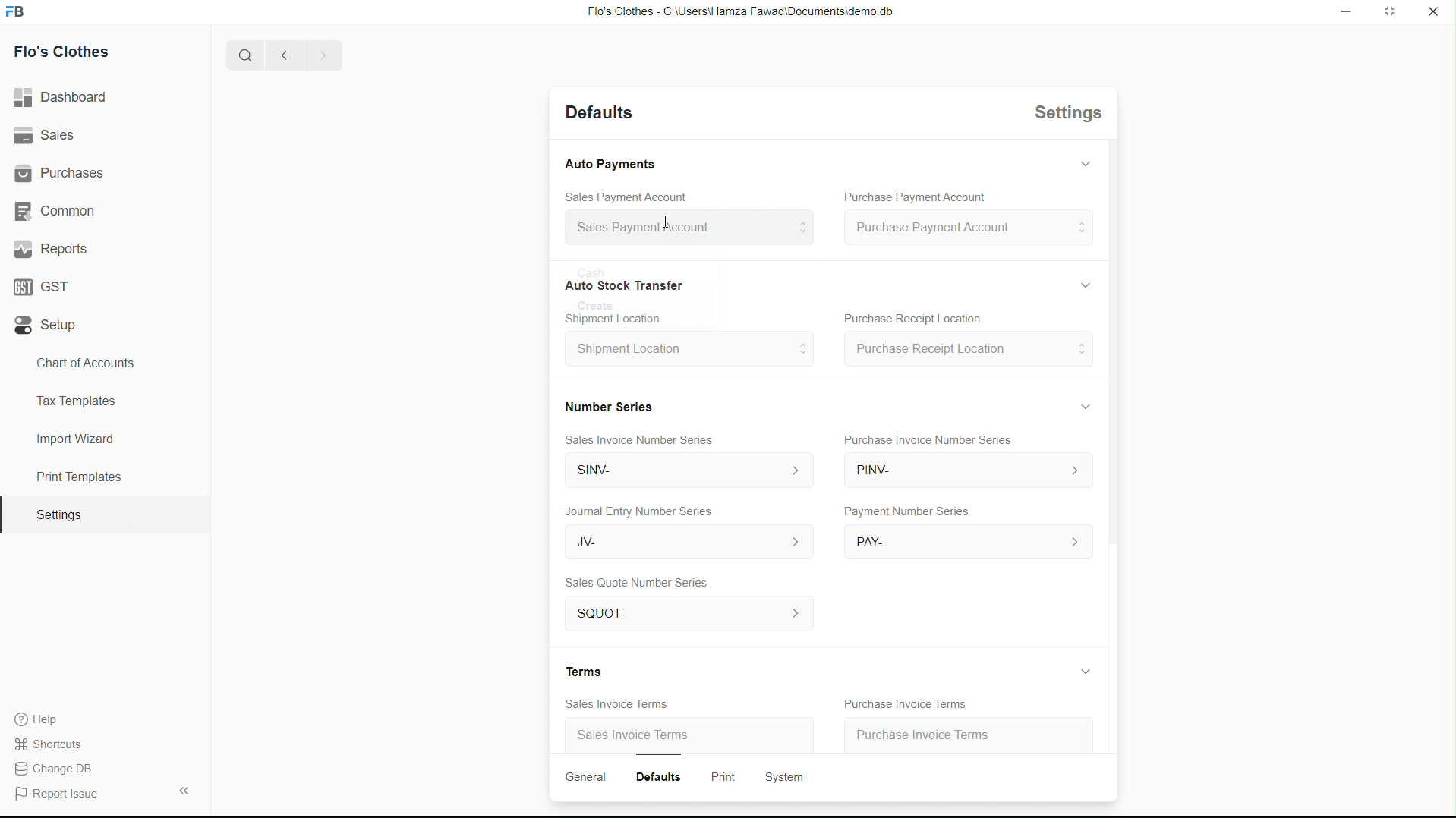 The width and height of the screenshot is (1456, 818). What do you see at coordinates (739, 12) in the screenshot?
I see `Flo's Clothes - C:\Users\Hamza Fawad\Documents\demo db` at bounding box center [739, 12].